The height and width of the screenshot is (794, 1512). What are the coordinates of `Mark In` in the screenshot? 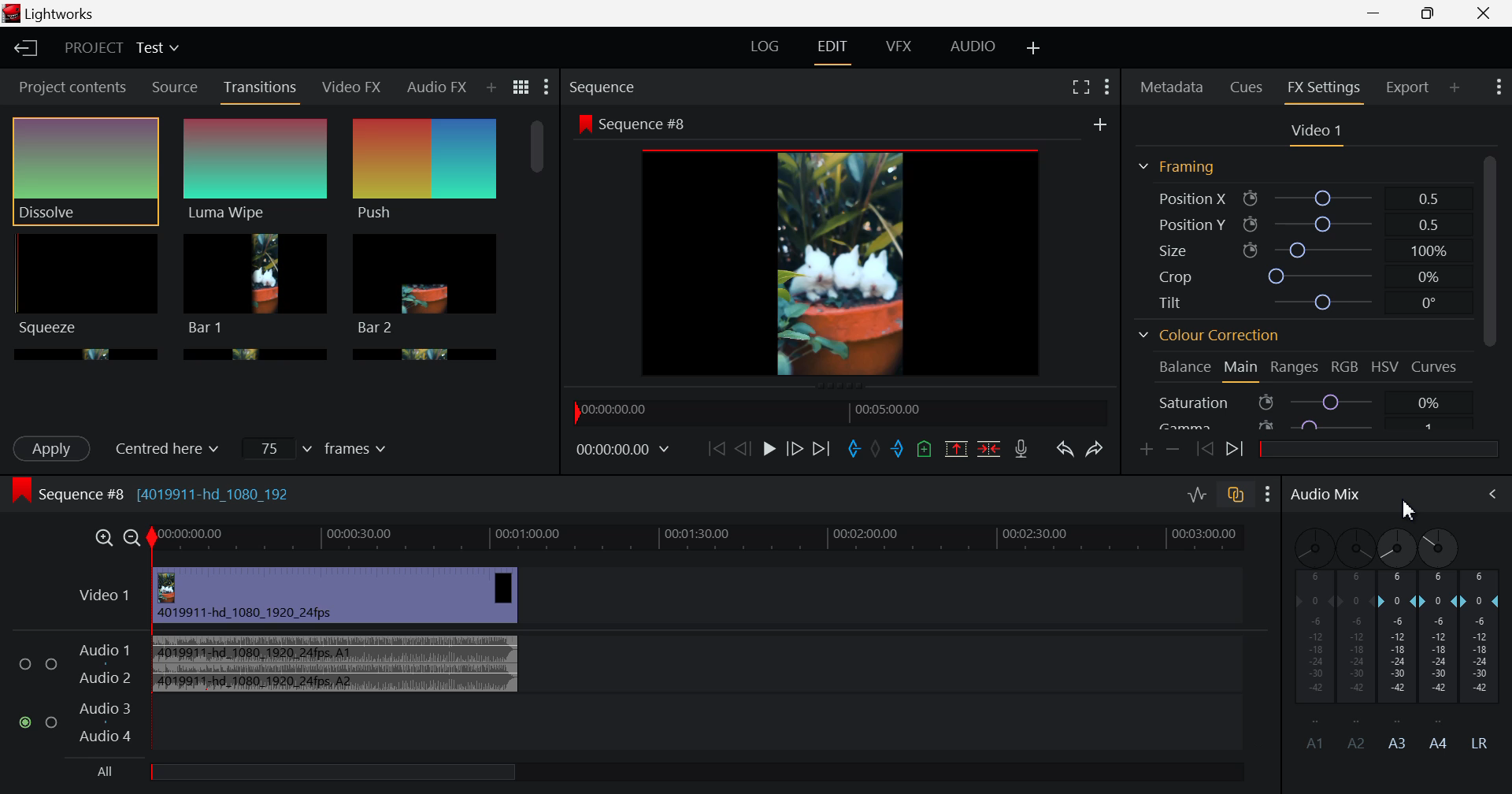 It's located at (854, 450).